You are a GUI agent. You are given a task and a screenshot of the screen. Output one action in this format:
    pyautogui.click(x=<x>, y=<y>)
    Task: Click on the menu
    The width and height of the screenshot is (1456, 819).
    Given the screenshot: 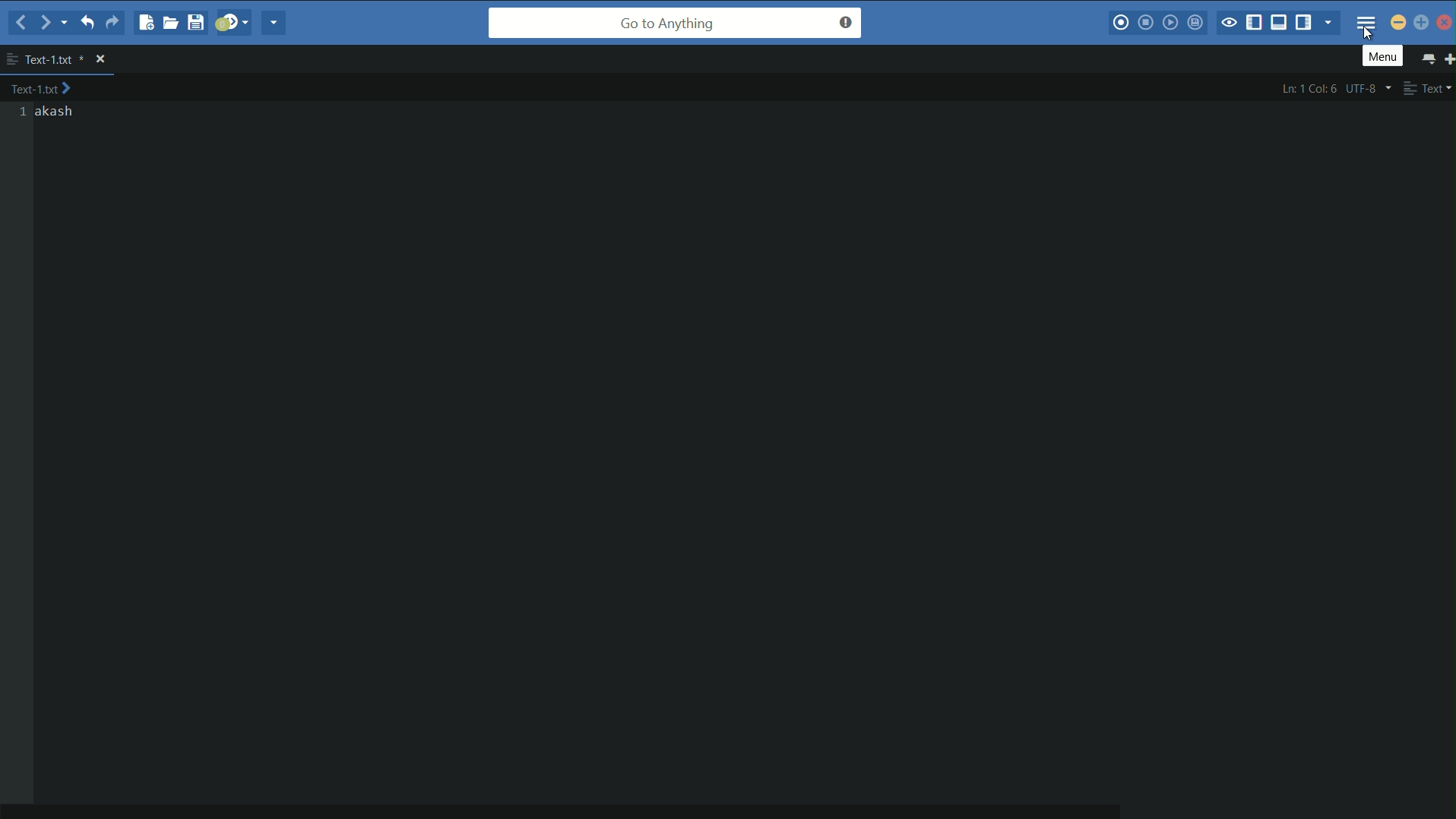 What is the action you would take?
    pyautogui.click(x=1366, y=23)
    